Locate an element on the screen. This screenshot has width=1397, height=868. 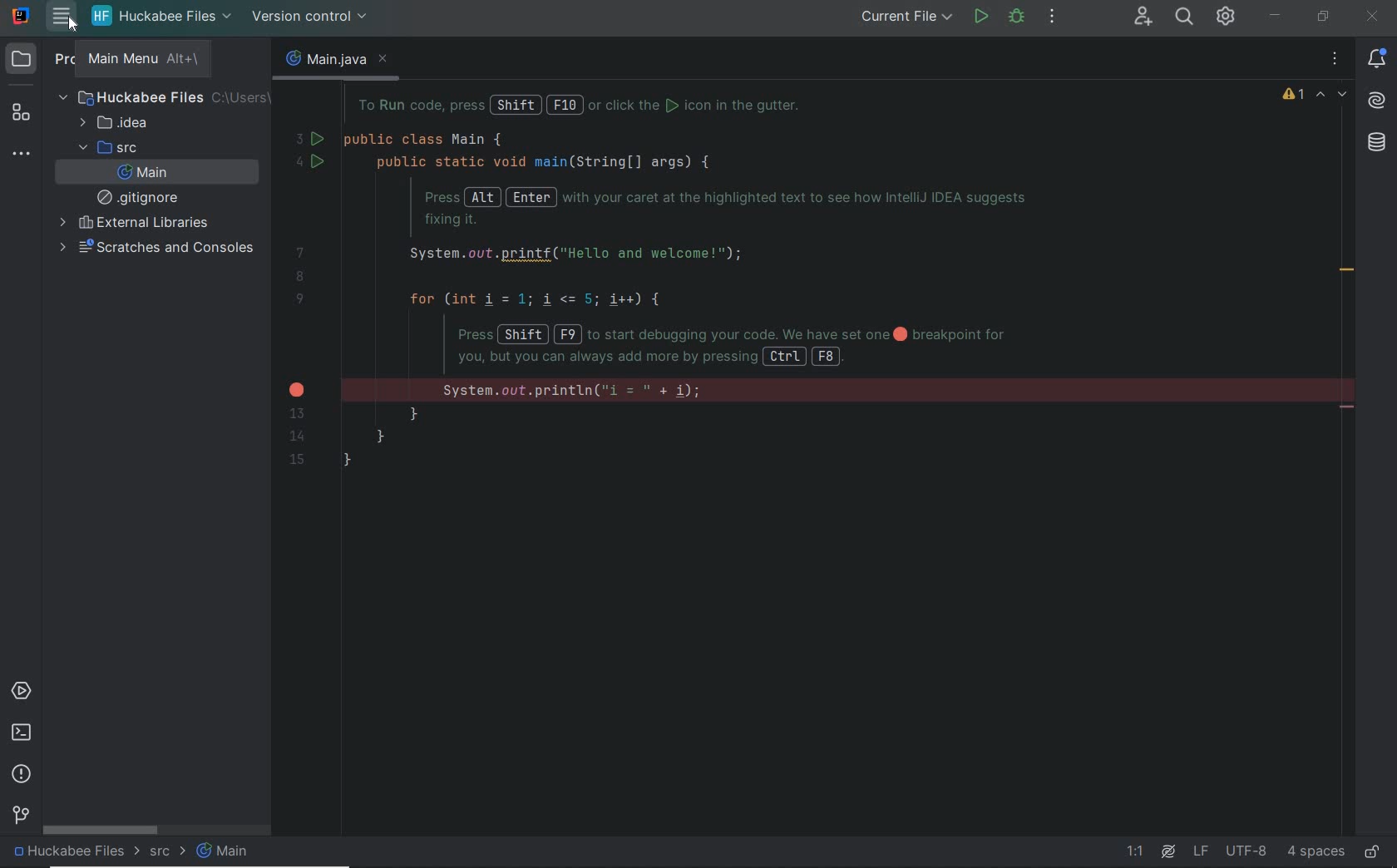
notifications is located at coordinates (1380, 60).